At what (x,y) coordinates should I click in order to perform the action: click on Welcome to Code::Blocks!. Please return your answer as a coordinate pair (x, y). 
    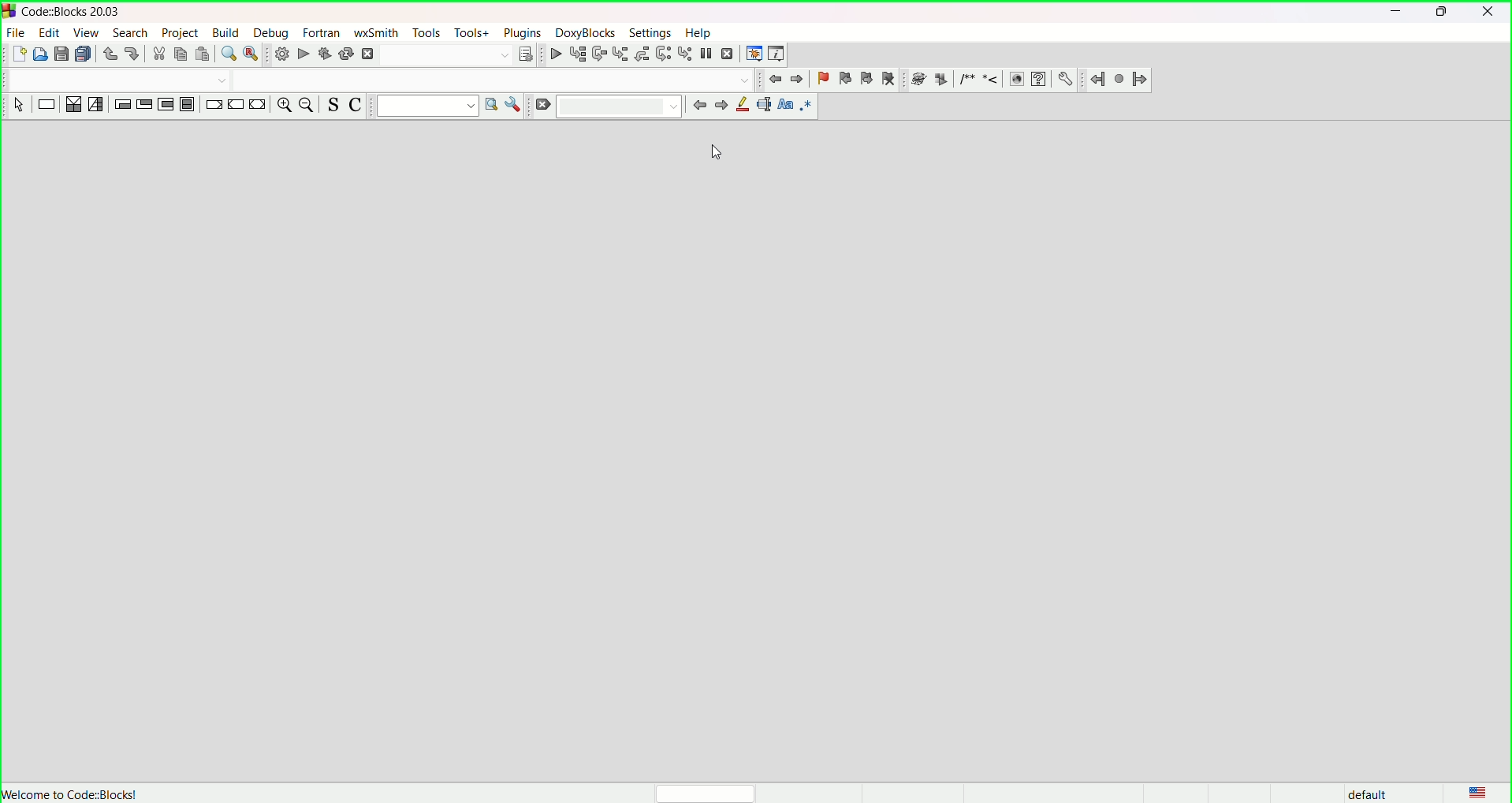
    Looking at the image, I should click on (80, 793).